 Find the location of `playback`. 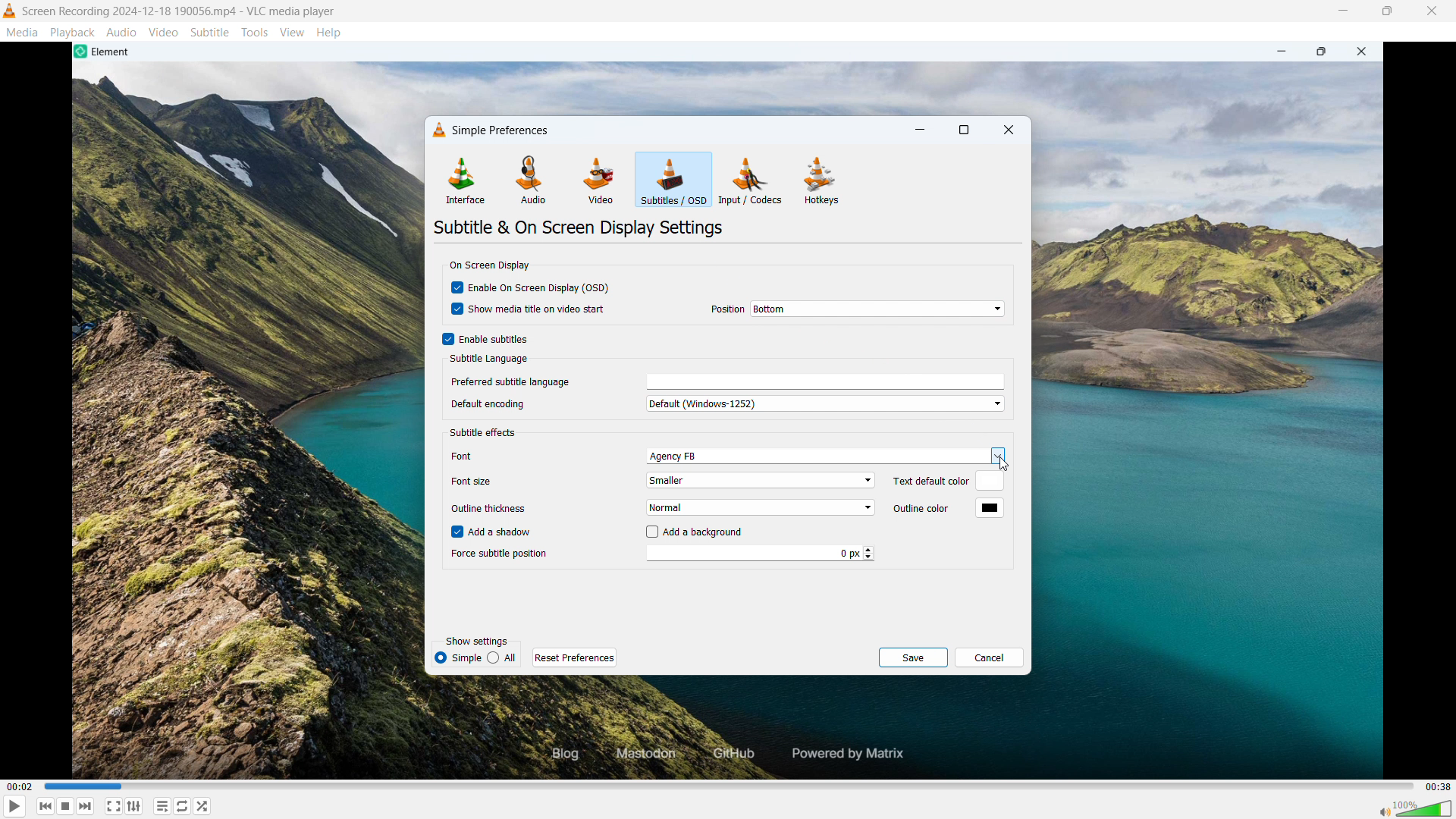

playback is located at coordinates (73, 32).